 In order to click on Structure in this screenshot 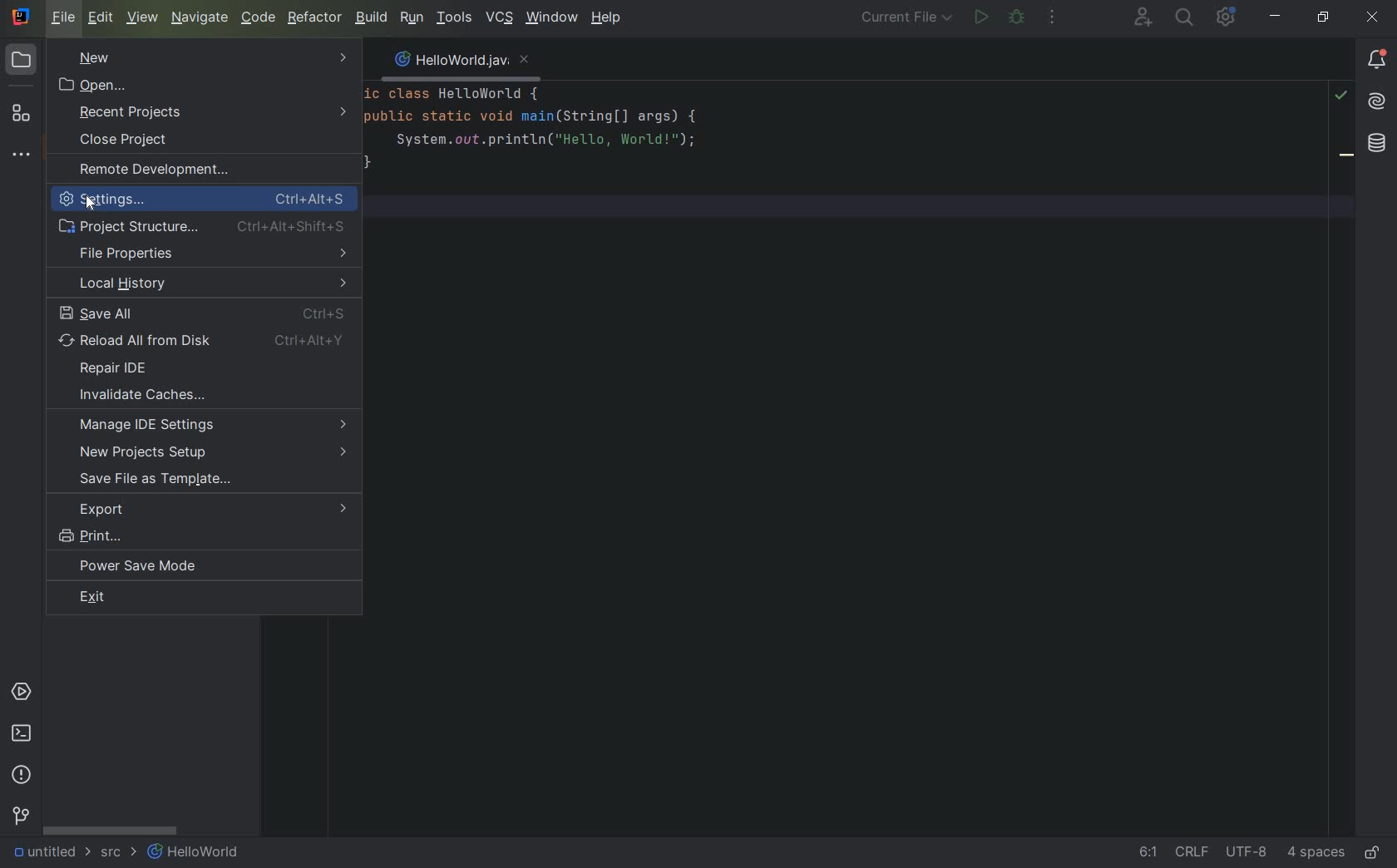, I will do `click(22, 116)`.